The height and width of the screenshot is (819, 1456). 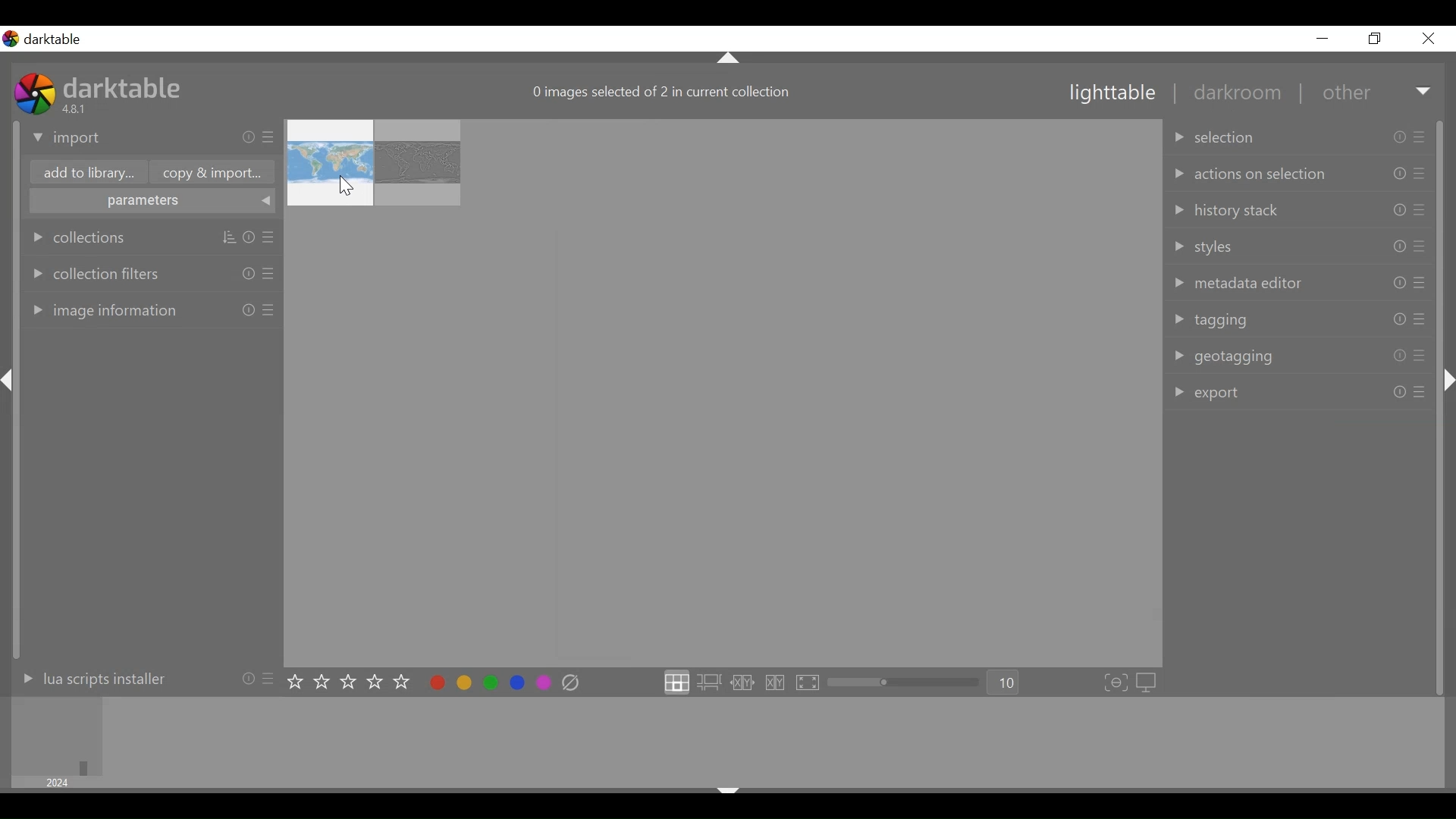 I want to click on collection filters, so click(x=152, y=274).